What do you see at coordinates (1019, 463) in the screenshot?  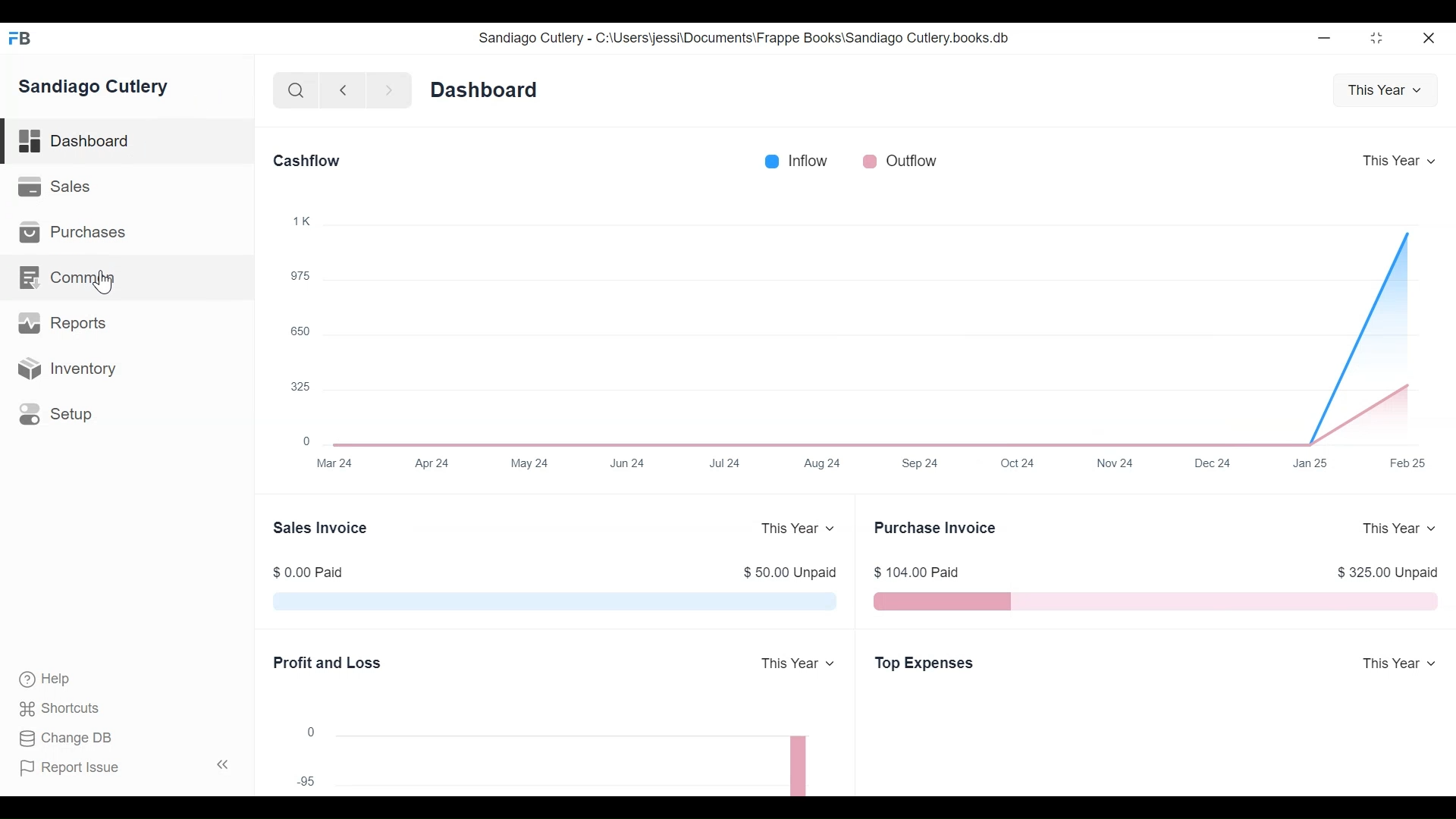 I see `Oct 24` at bounding box center [1019, 463].